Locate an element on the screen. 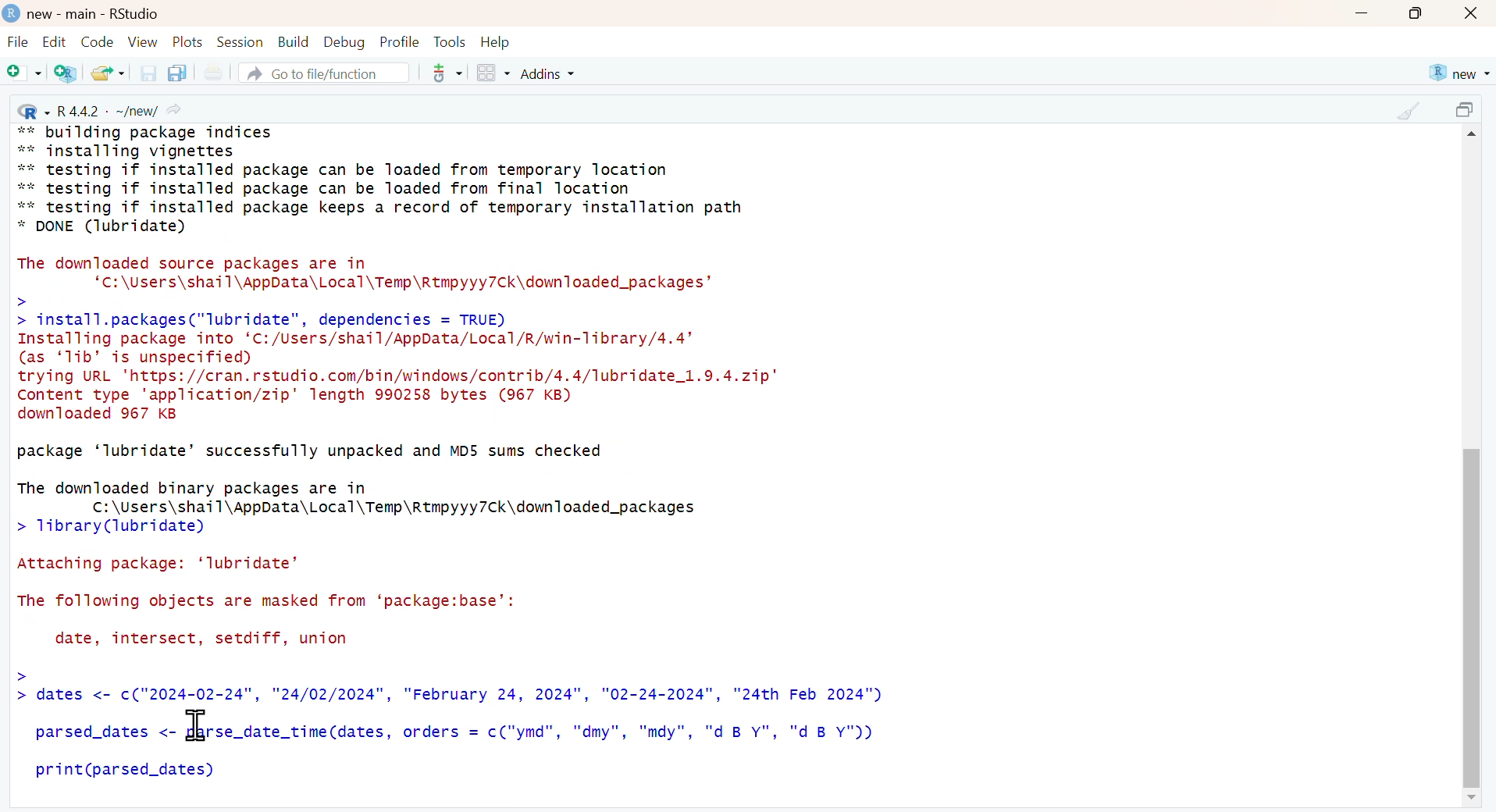 The height and width of the screenshot is (812, 1496). save the current document is located at coordinates (146, 73).